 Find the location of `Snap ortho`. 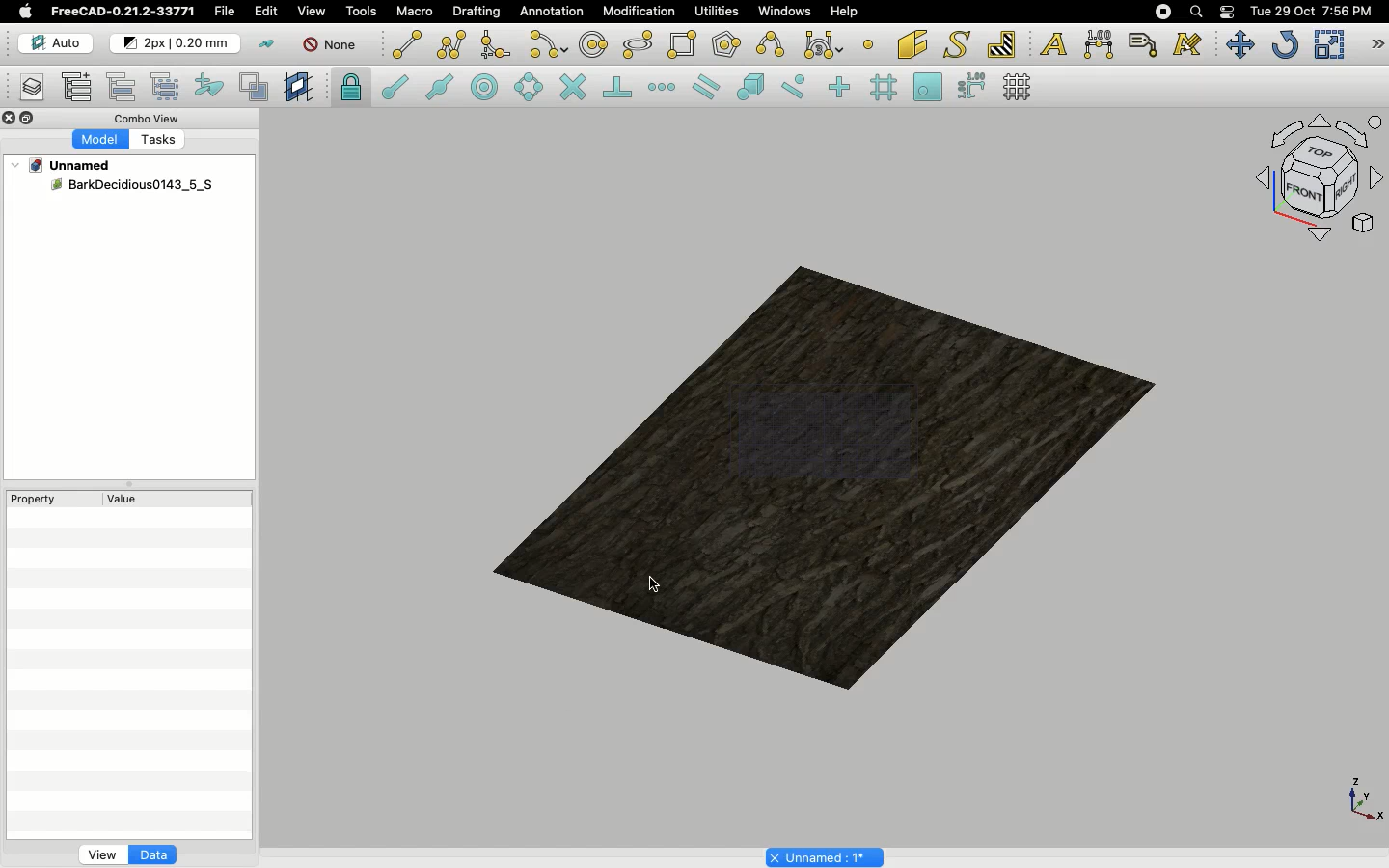

Snap ortho is located at coordinates (842, 89).